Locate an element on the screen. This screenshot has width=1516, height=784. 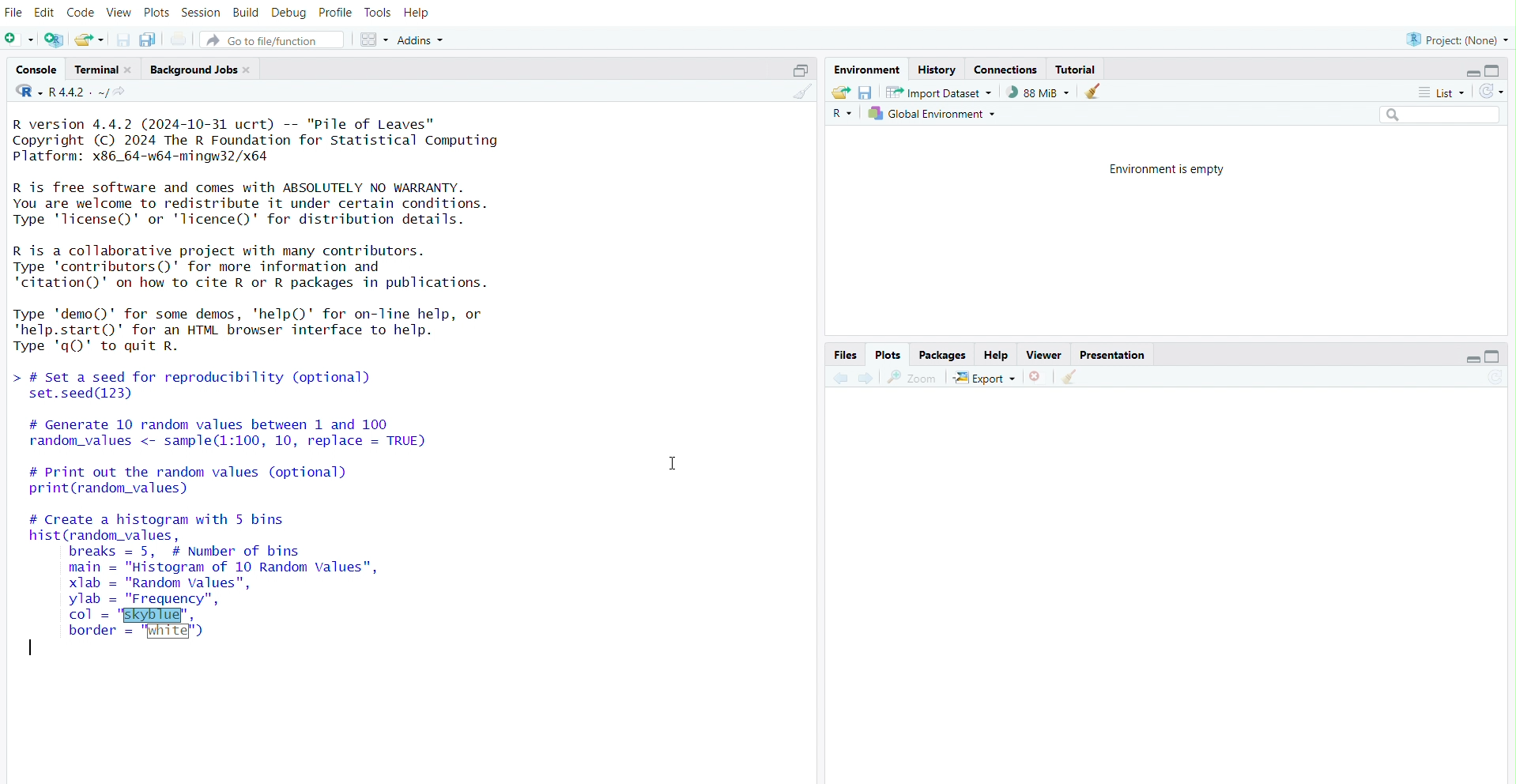
global environment is located at coordinates (938, 115).